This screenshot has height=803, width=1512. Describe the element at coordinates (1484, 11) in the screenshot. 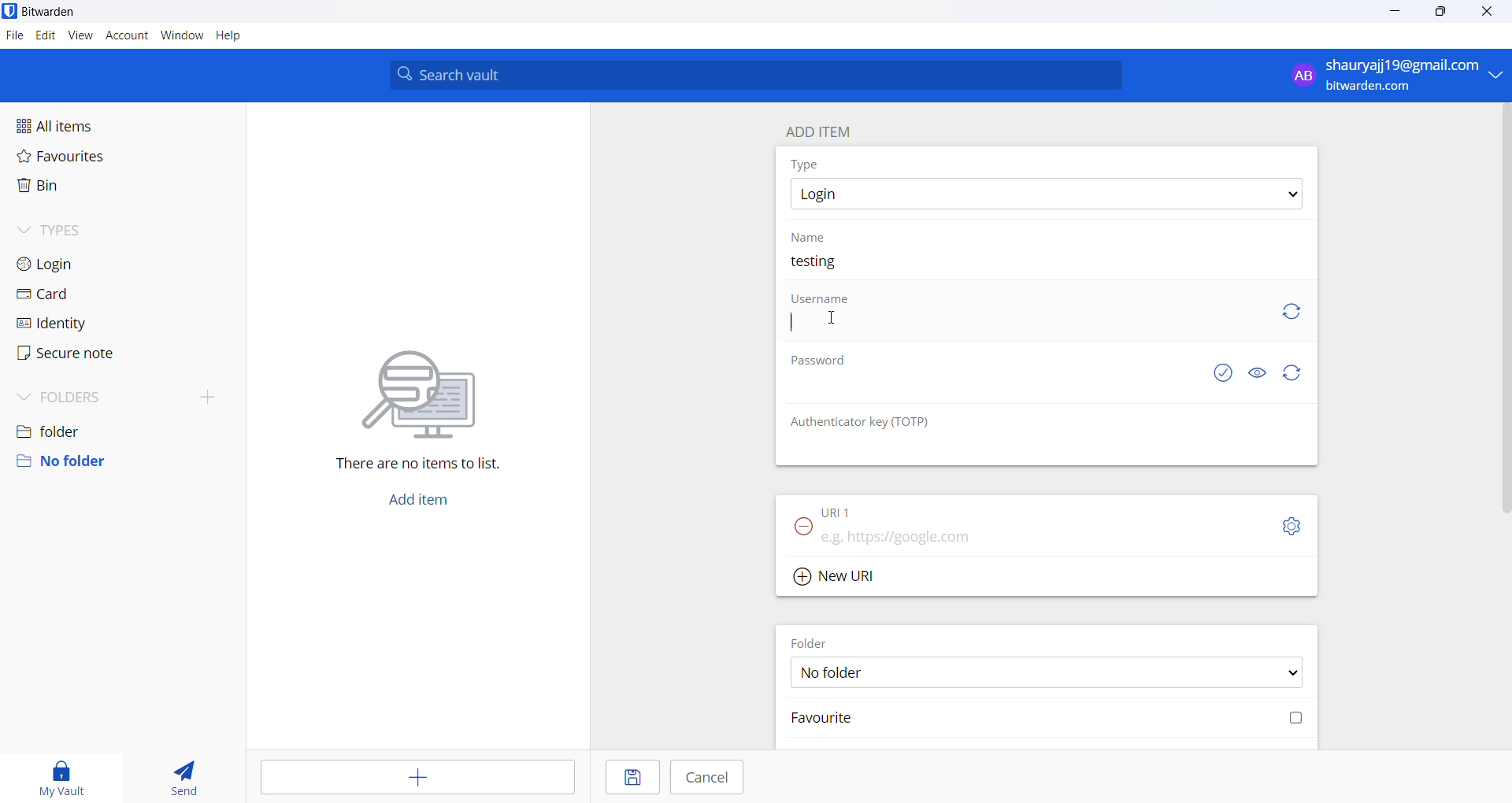

I see `close` at that location.